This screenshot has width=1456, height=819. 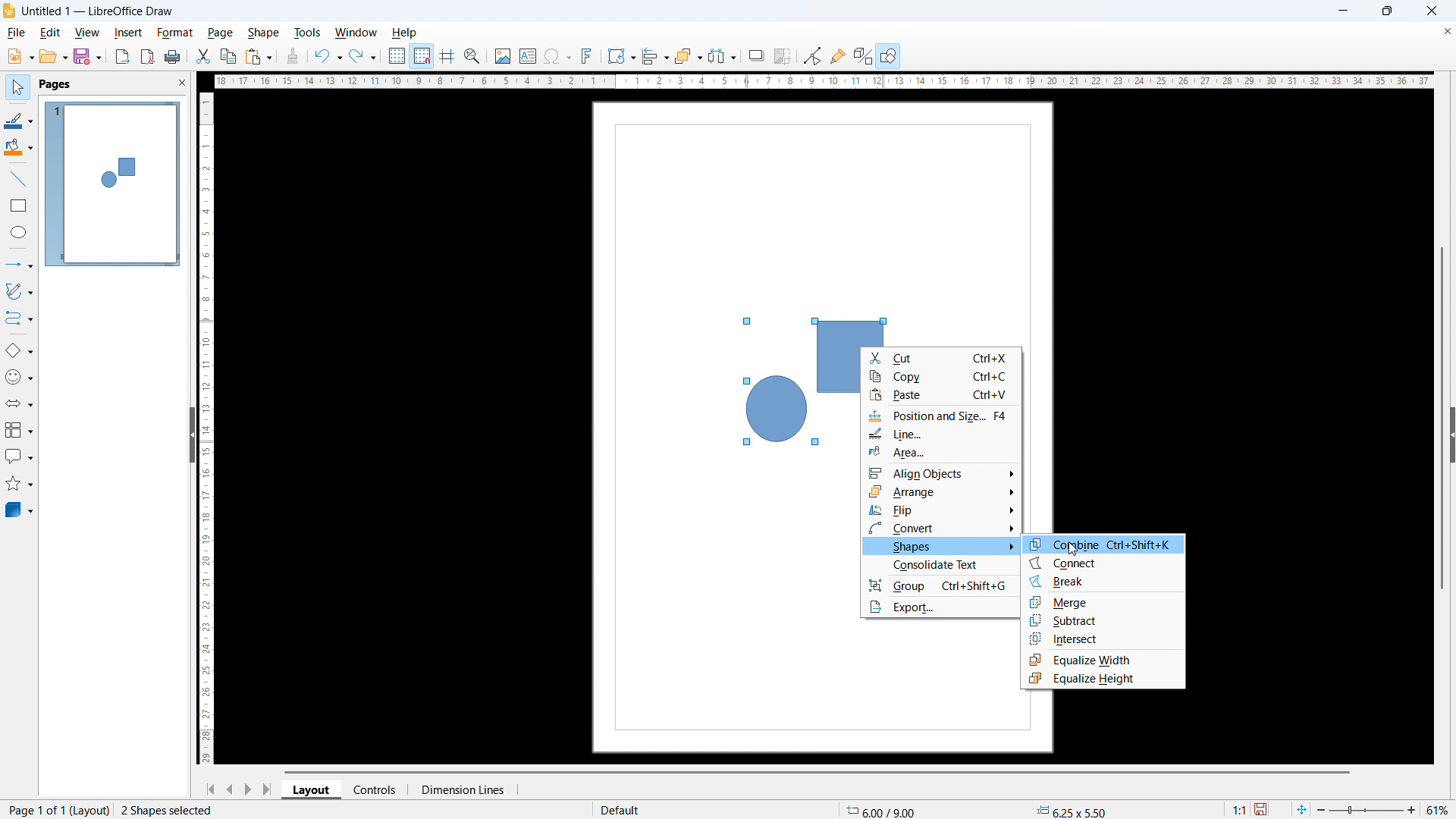 What do you see at coordinates (98, 11) in the screenshot?
I see `document title` at bounding box center [98, 11].